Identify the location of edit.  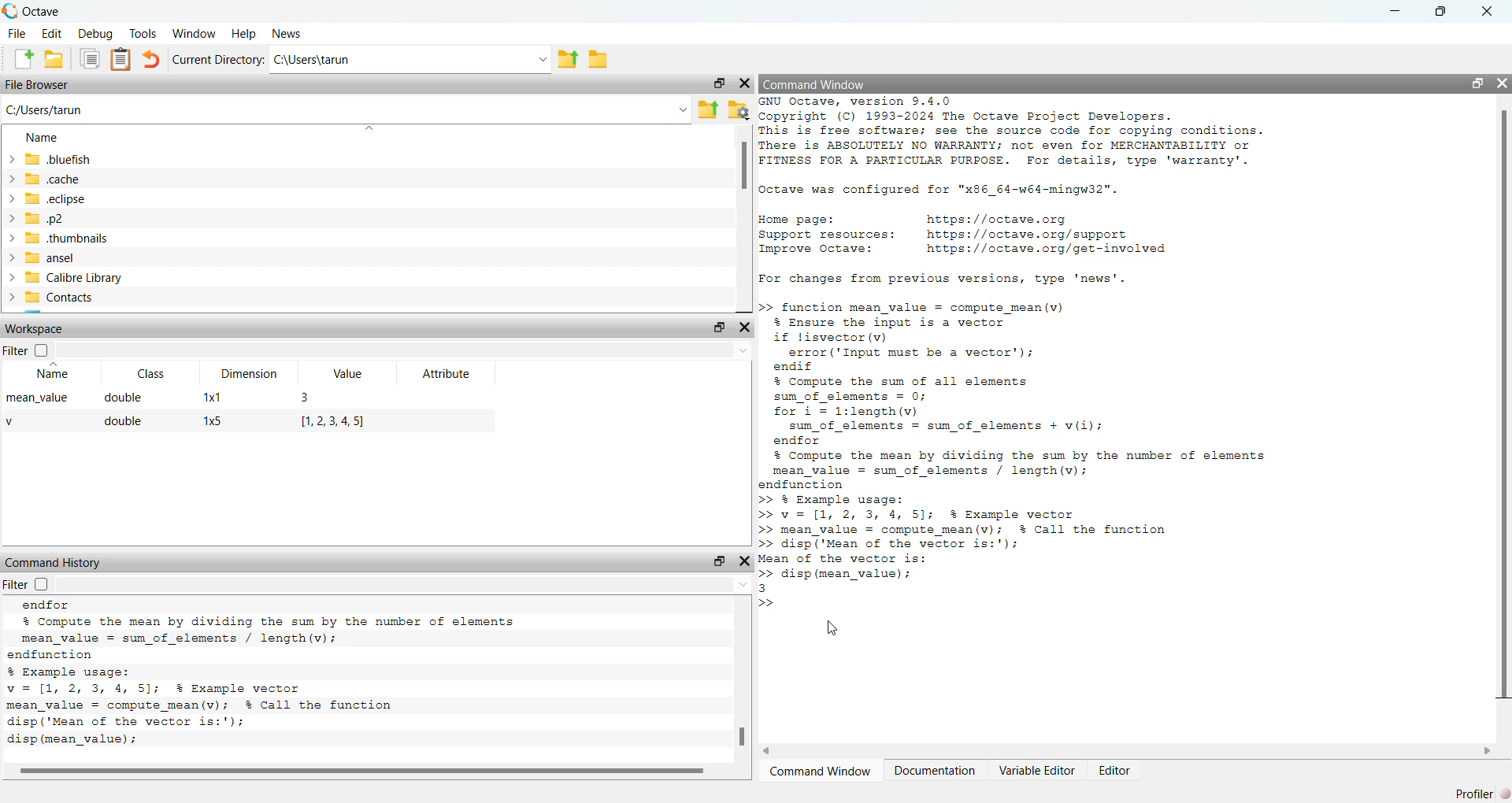
(54, 34).